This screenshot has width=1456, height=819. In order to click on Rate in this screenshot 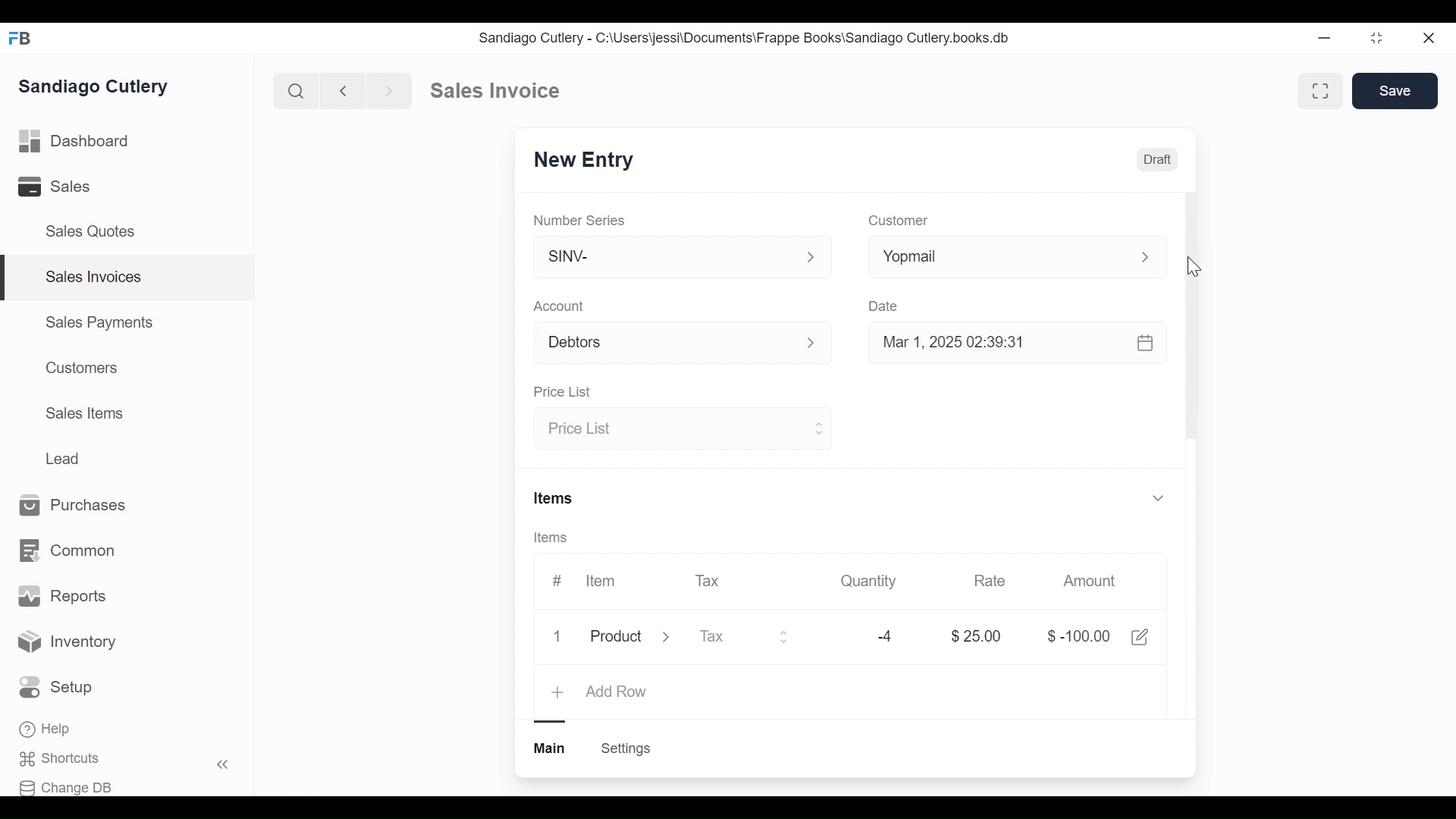, I will do `click(990, 580)`.